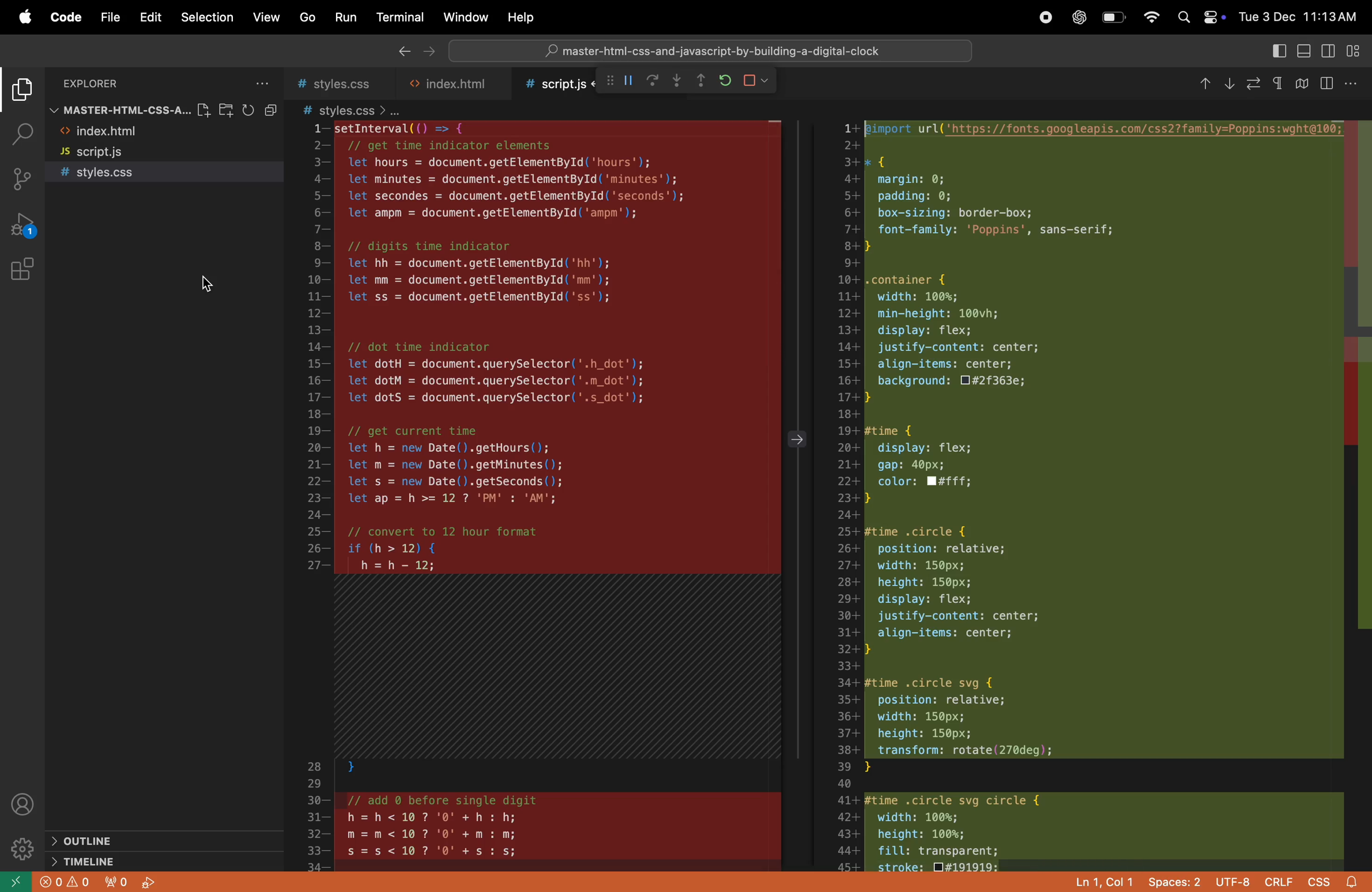  Describe the element at coordinates (114, 110) in the screenshot. I see `master file` at that location.